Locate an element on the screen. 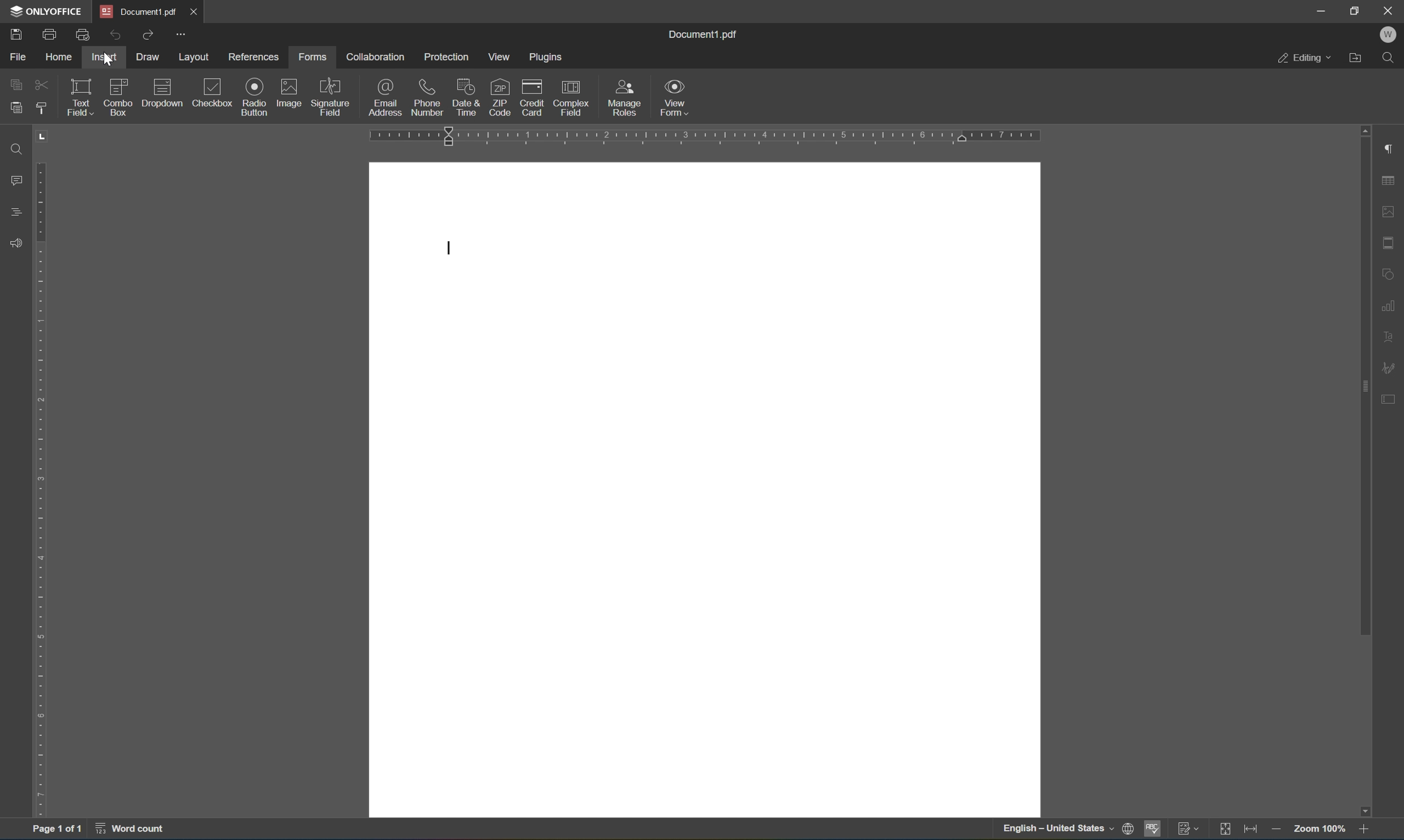  zoom in is located at coordinates (1364, 830).